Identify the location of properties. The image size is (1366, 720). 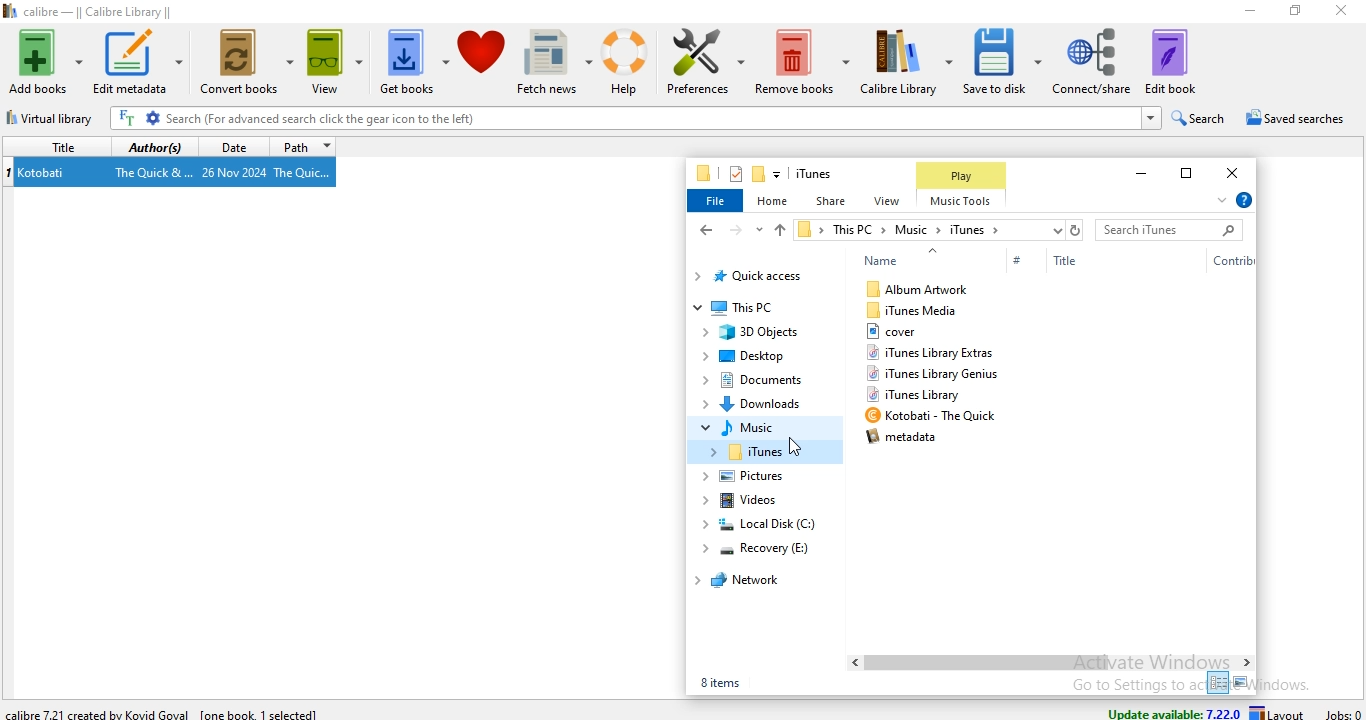
(734, 173).